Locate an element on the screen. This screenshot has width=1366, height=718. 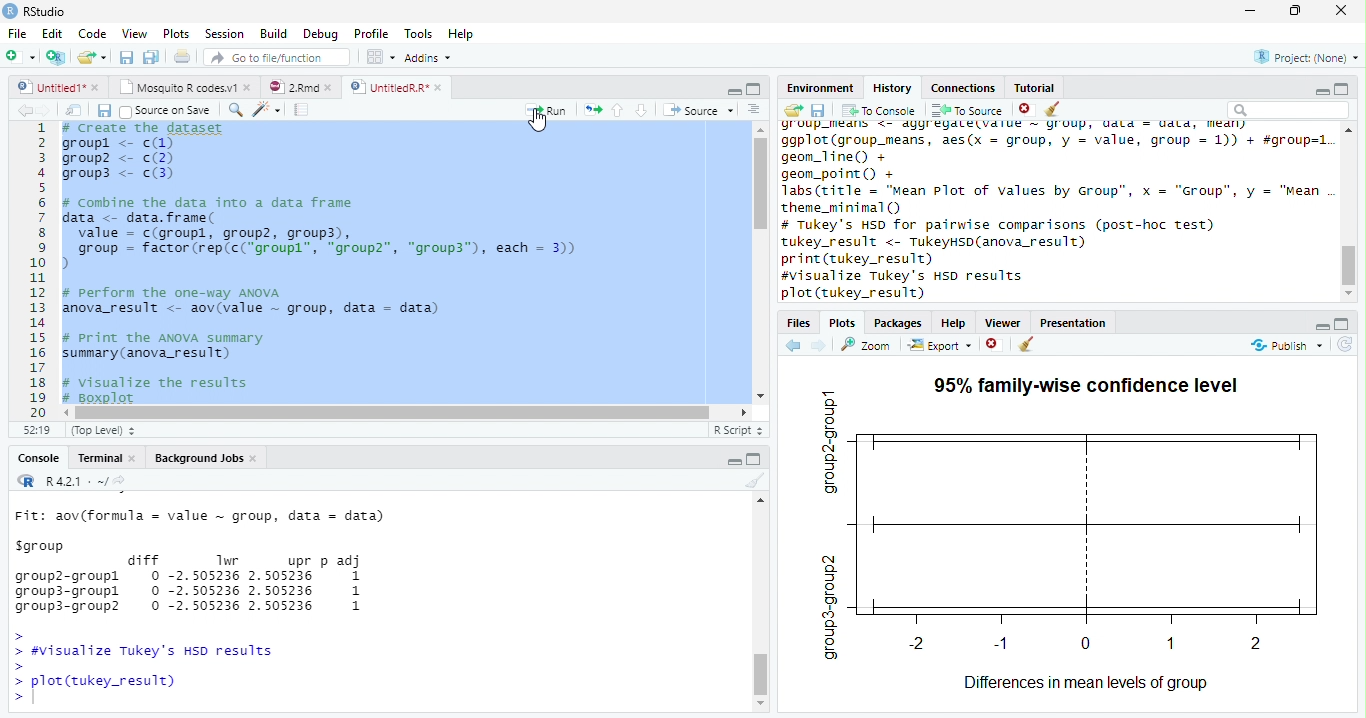
Delete is located at coordinates (993, 345).